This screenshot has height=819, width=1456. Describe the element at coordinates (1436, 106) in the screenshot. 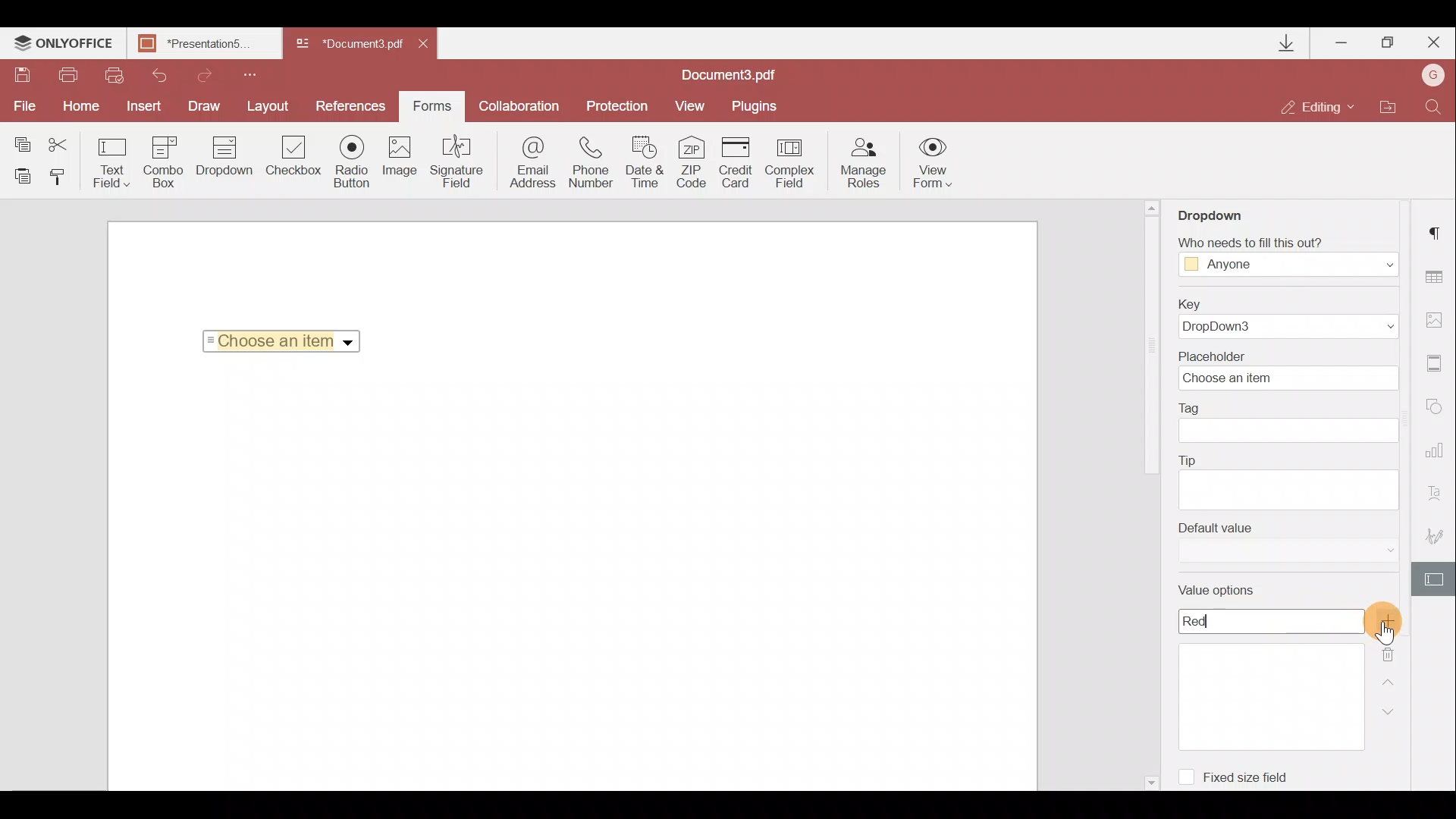

I see `Find` at that location.